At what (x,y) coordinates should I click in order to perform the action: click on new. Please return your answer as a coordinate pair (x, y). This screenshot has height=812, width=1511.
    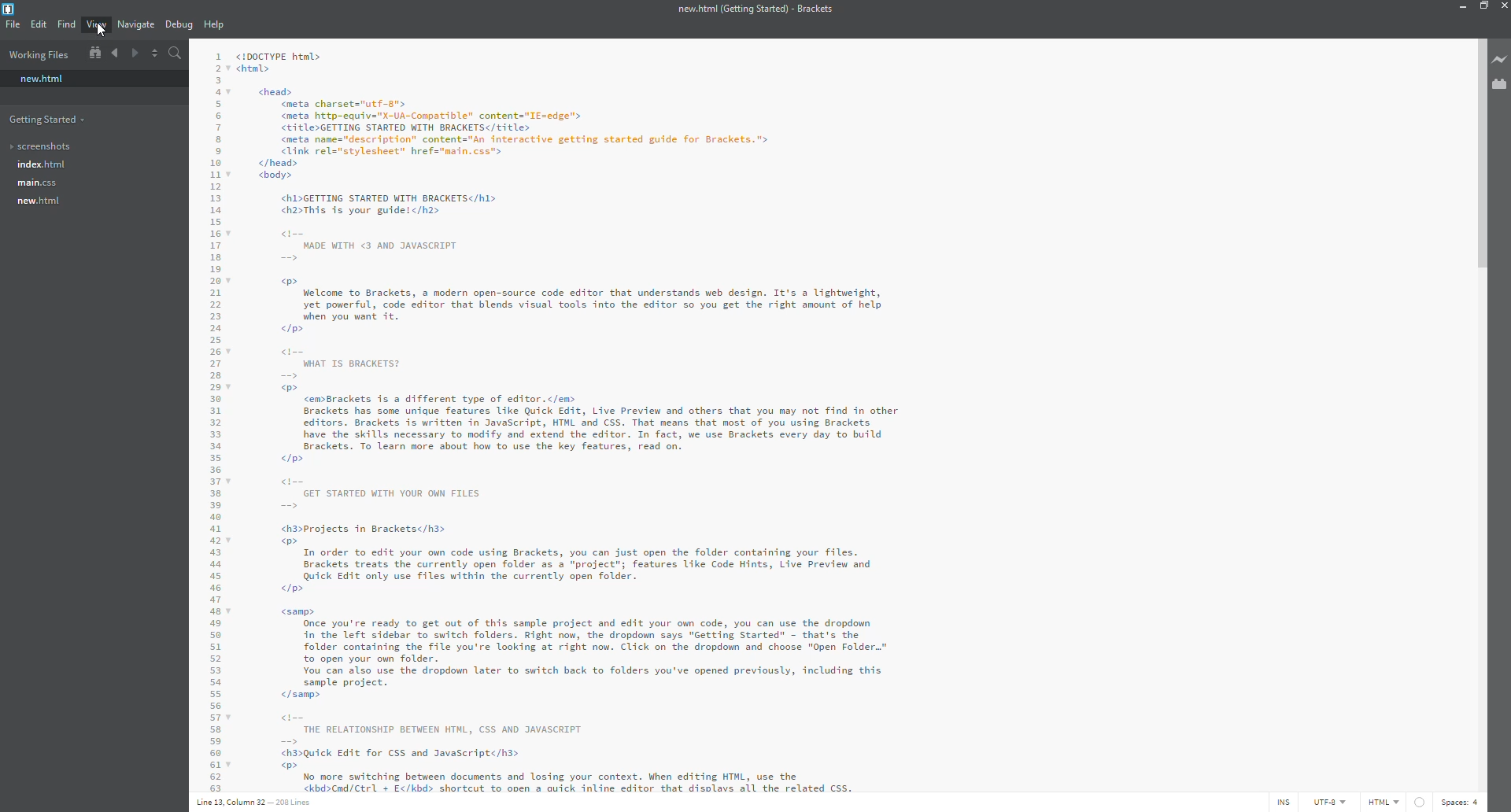
    Looking at the image, I should click on (41, 79).